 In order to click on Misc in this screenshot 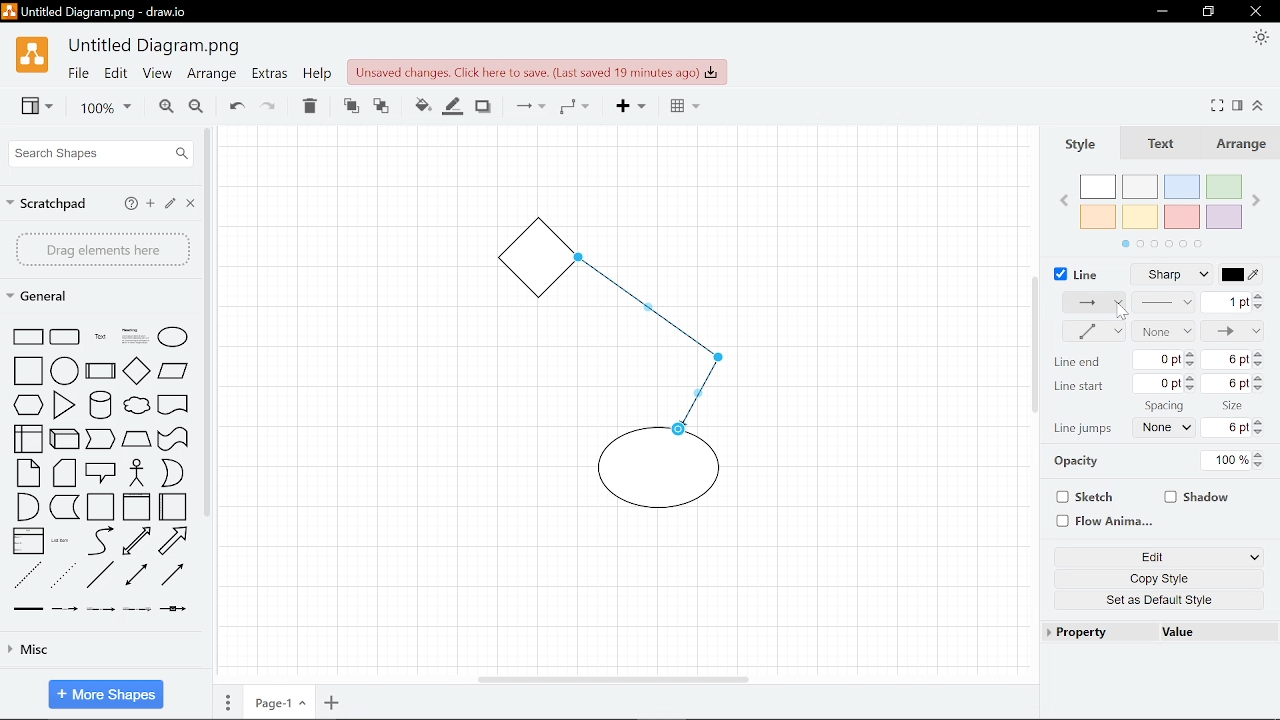, I will do `click(102, 653)`.